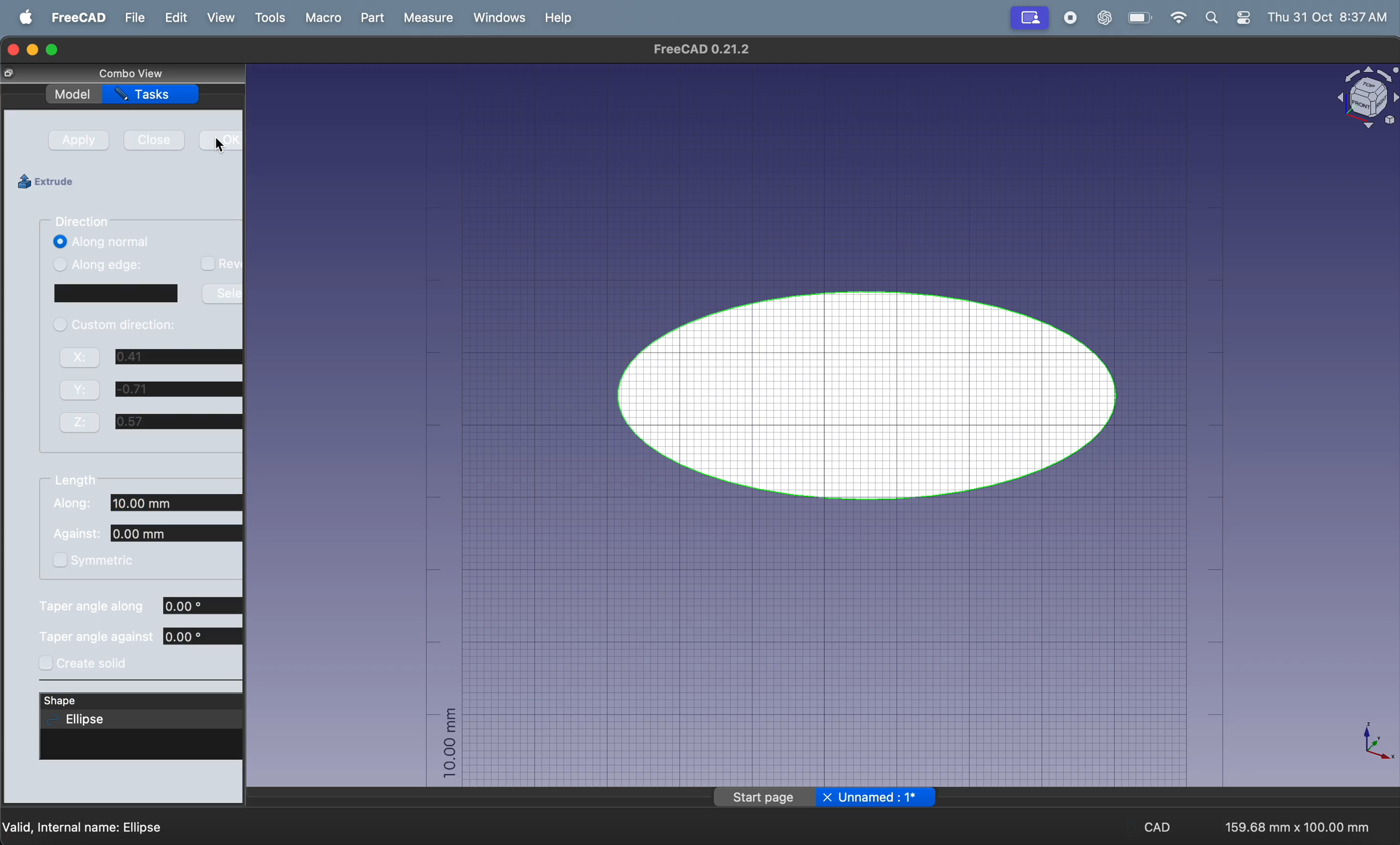 The height and width of the screenshot is (845, 1400). I want to click on apple widgets, so click(1227, 19).